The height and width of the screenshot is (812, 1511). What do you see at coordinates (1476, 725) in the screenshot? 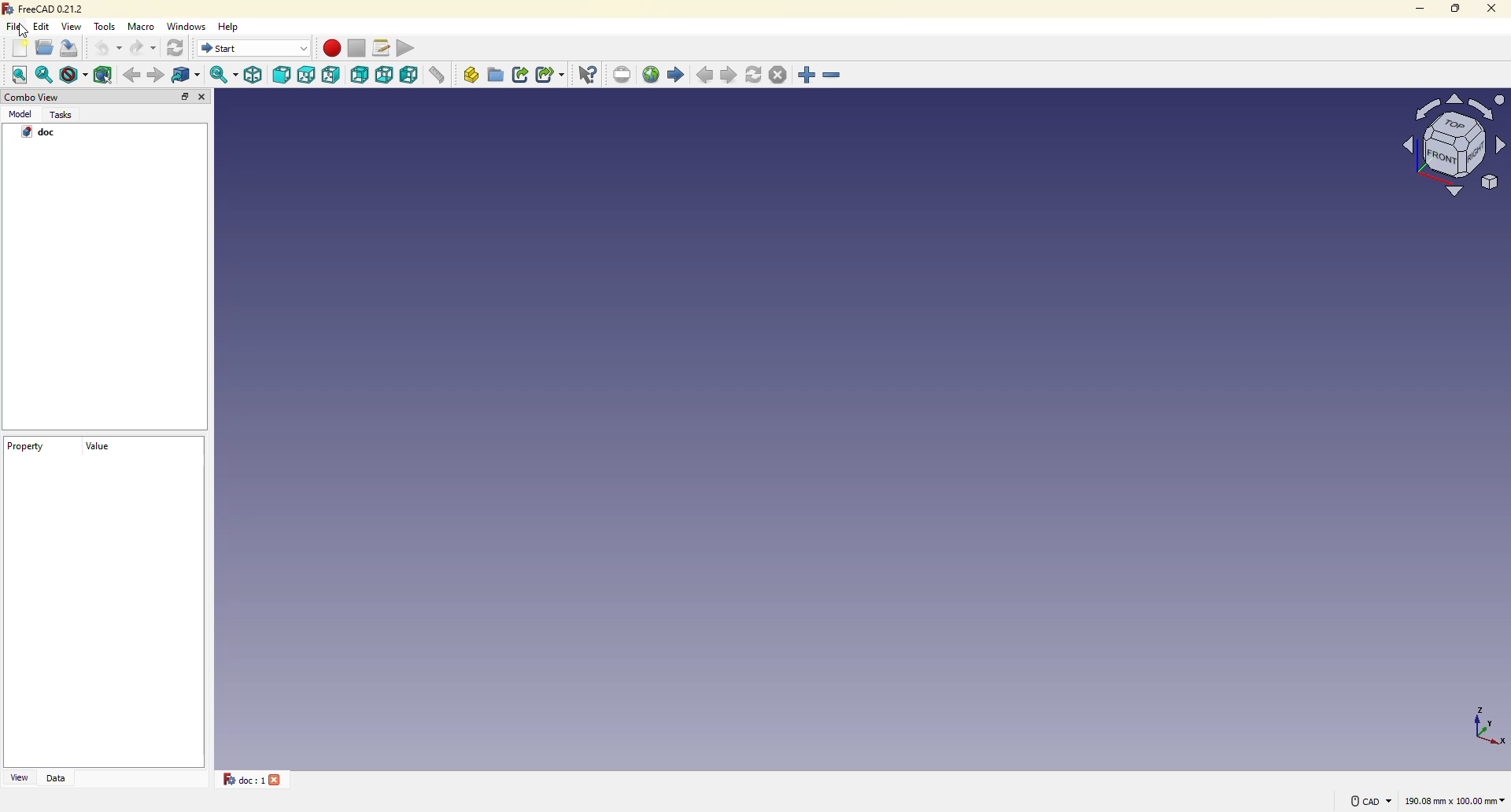
I see `co-ordinates` at bounding box center [1476, 725].